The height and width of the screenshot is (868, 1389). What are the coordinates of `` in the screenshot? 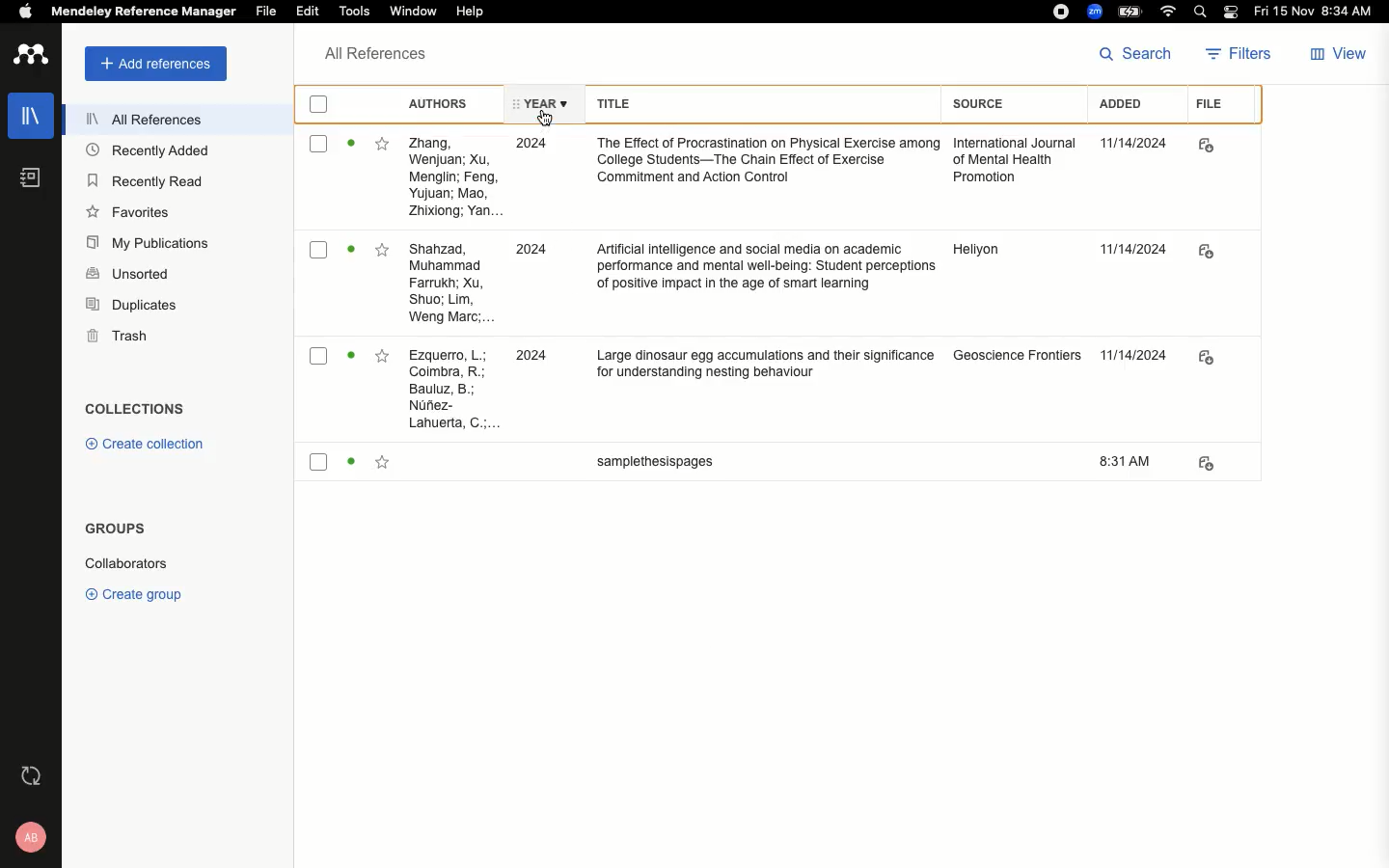 It's located at (1136, 364).